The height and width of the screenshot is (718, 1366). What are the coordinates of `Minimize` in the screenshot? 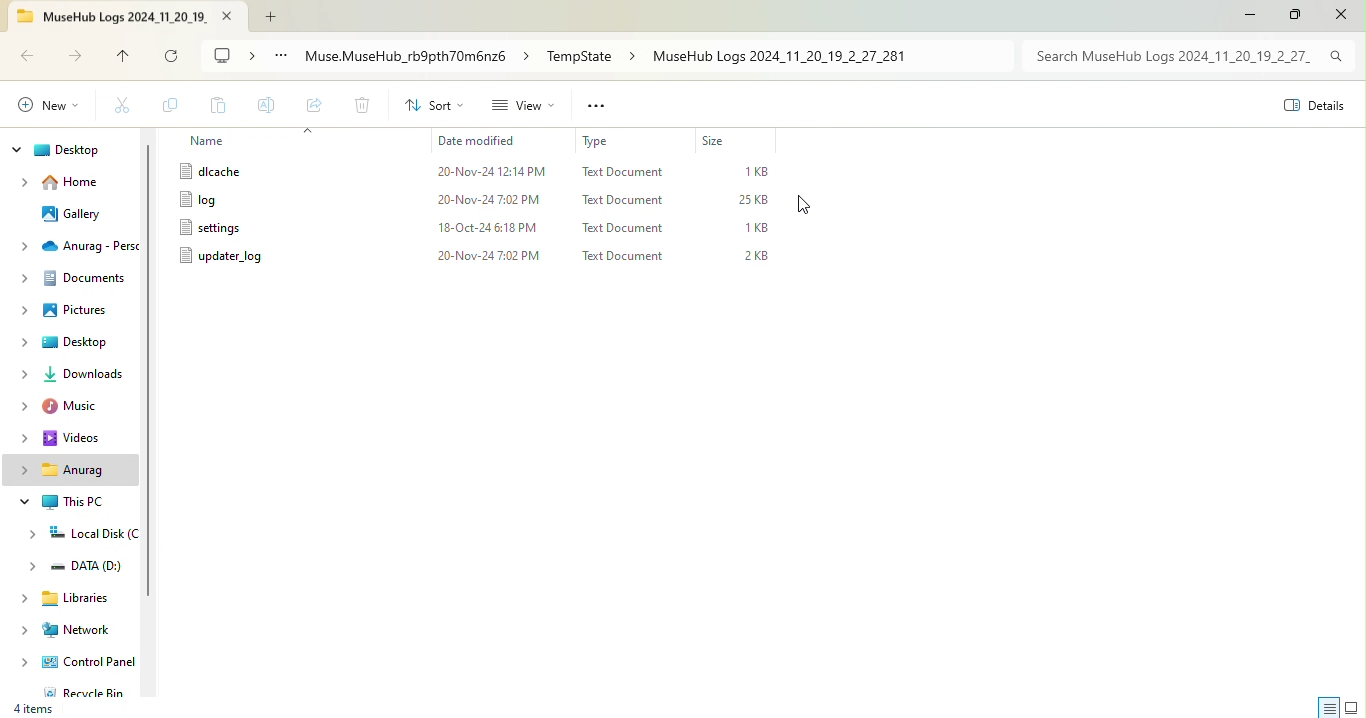 It's located at (1246, 15).